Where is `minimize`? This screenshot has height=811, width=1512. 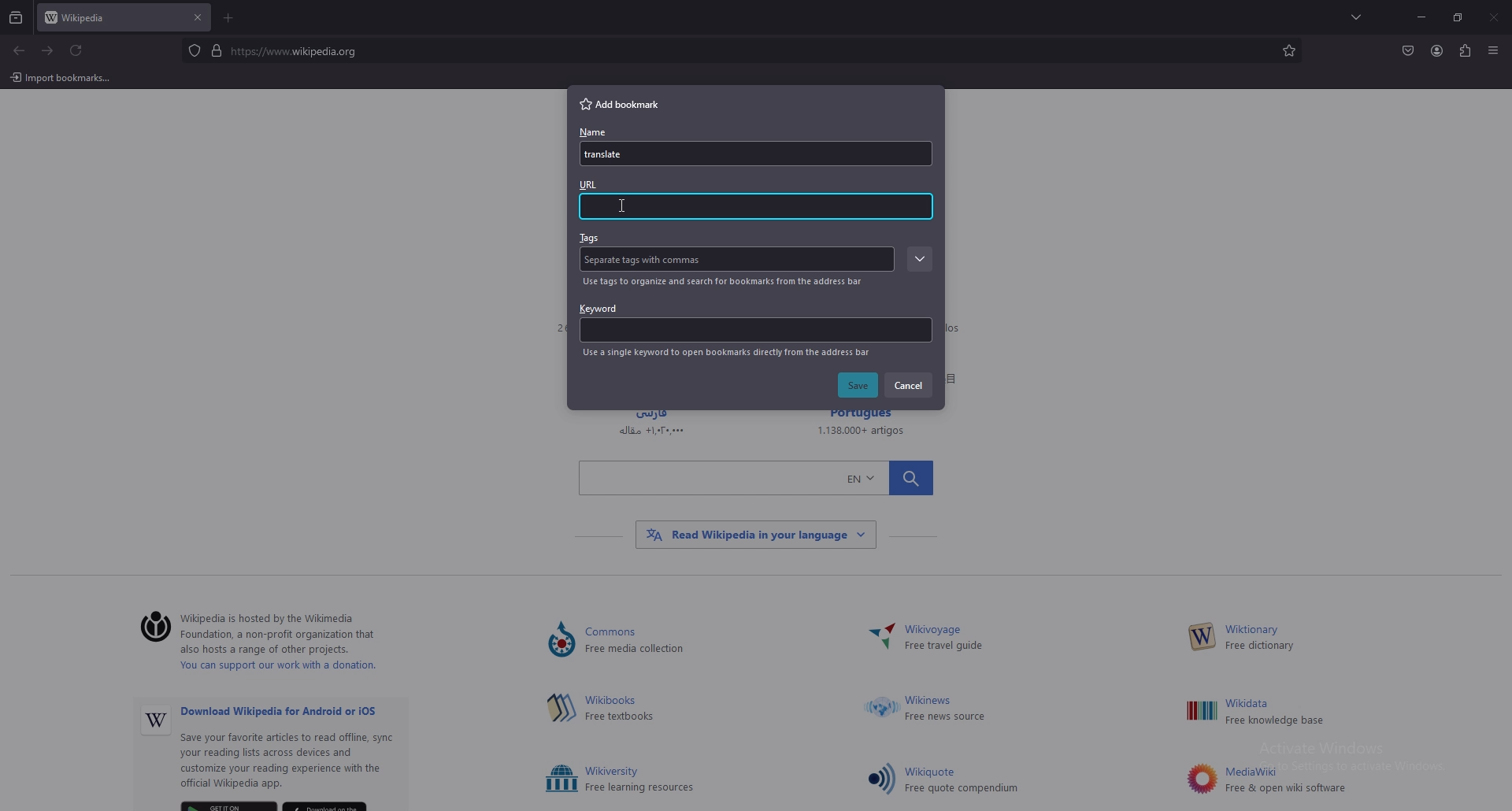 minimize is located at coordinates (1421, 17).